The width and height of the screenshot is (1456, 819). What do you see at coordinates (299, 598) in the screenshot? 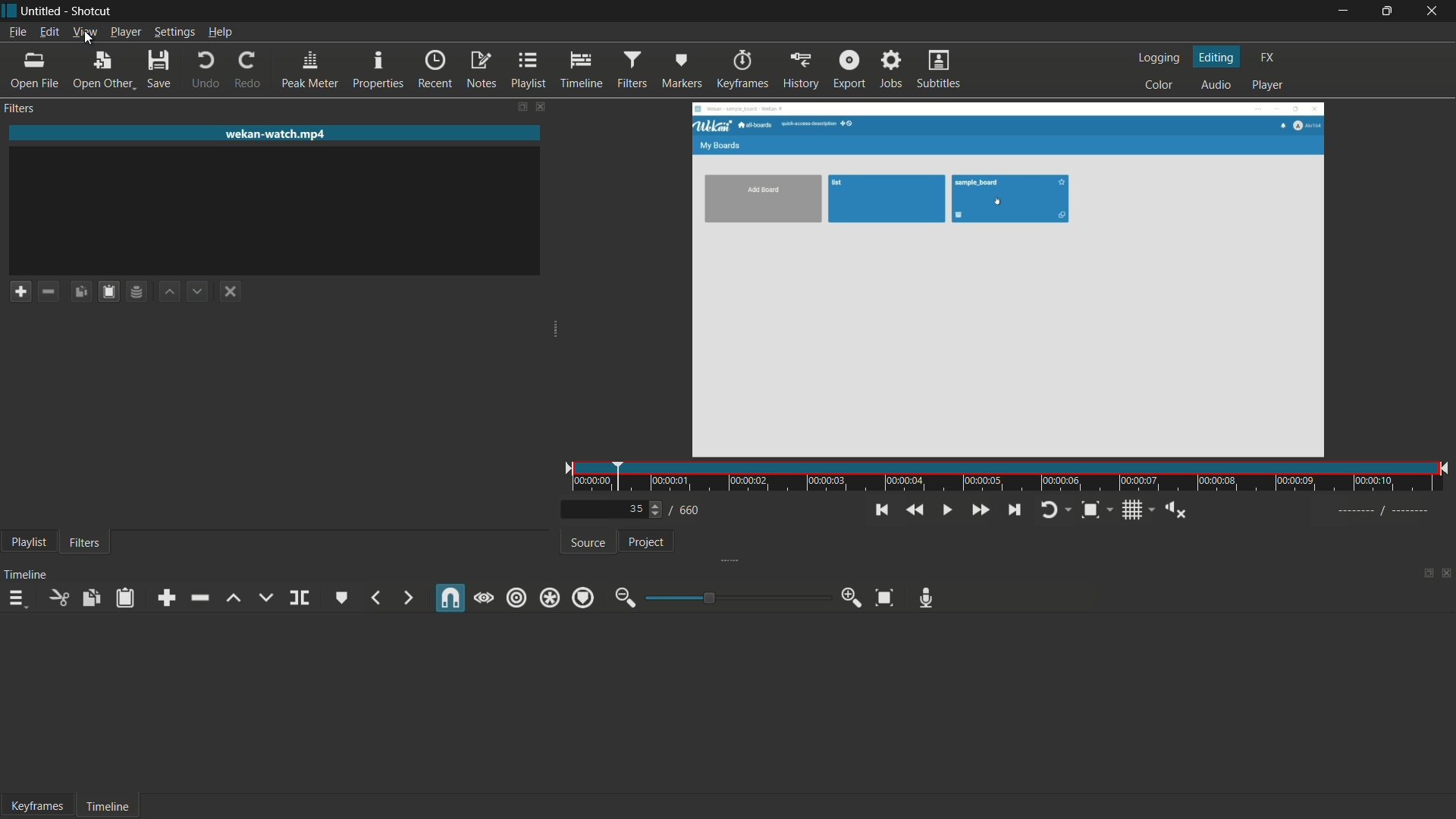
I see `split at playhead` at bounding box center [299, 598].